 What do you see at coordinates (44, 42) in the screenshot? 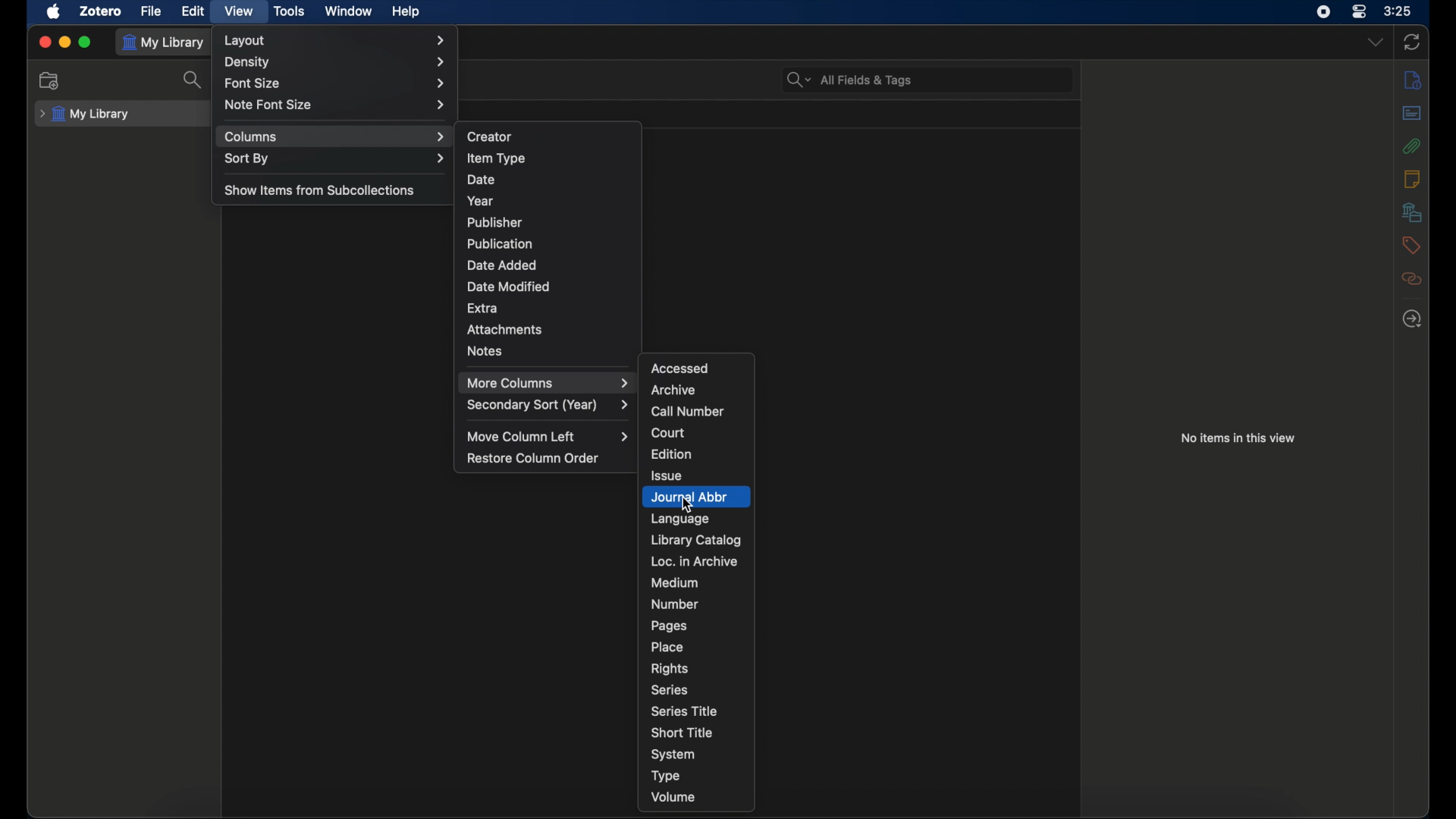
I see `close` at bounding box center [44, 42].